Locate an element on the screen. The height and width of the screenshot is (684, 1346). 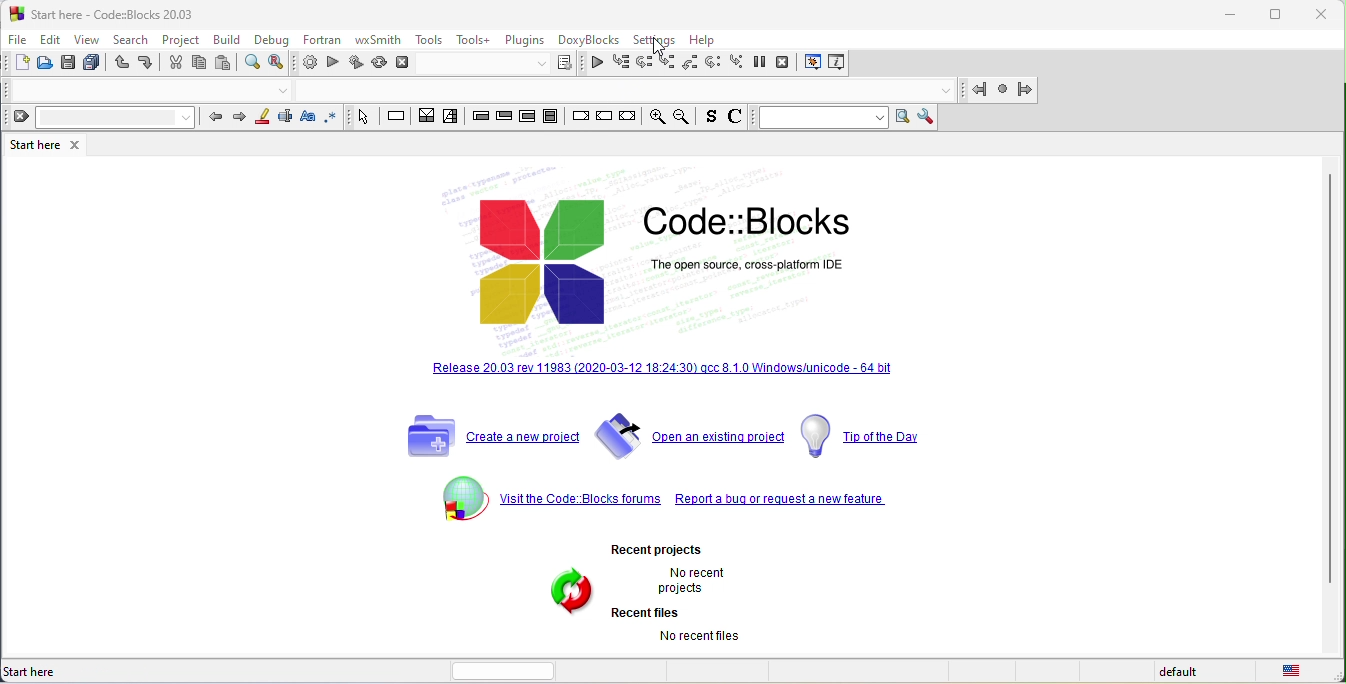
horizontal scroll bar is located at coordinates (505, 670).